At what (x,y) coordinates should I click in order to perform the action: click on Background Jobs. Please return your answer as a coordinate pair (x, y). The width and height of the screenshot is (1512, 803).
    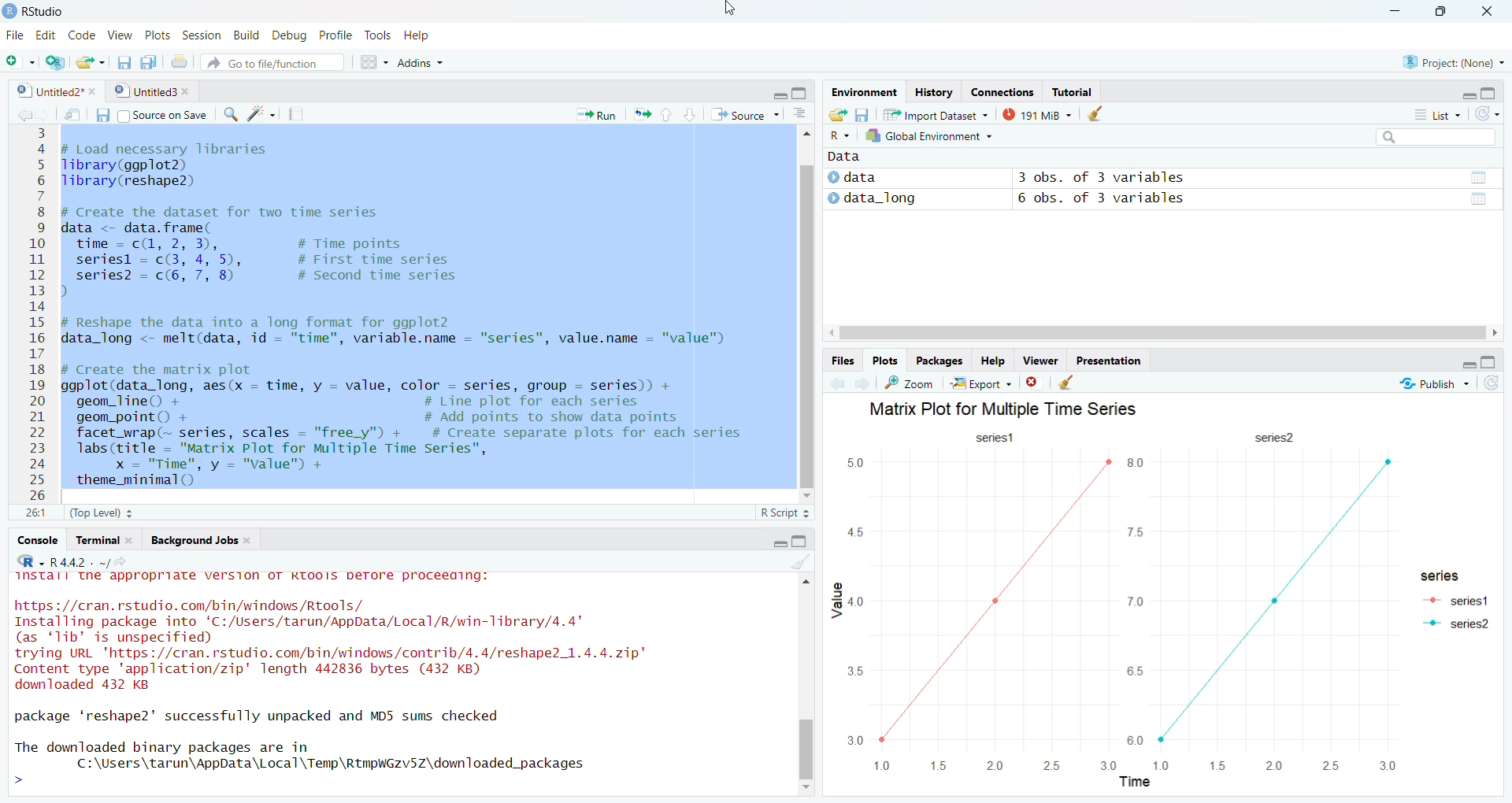
    Looking at the image, I should click on (201, 540).